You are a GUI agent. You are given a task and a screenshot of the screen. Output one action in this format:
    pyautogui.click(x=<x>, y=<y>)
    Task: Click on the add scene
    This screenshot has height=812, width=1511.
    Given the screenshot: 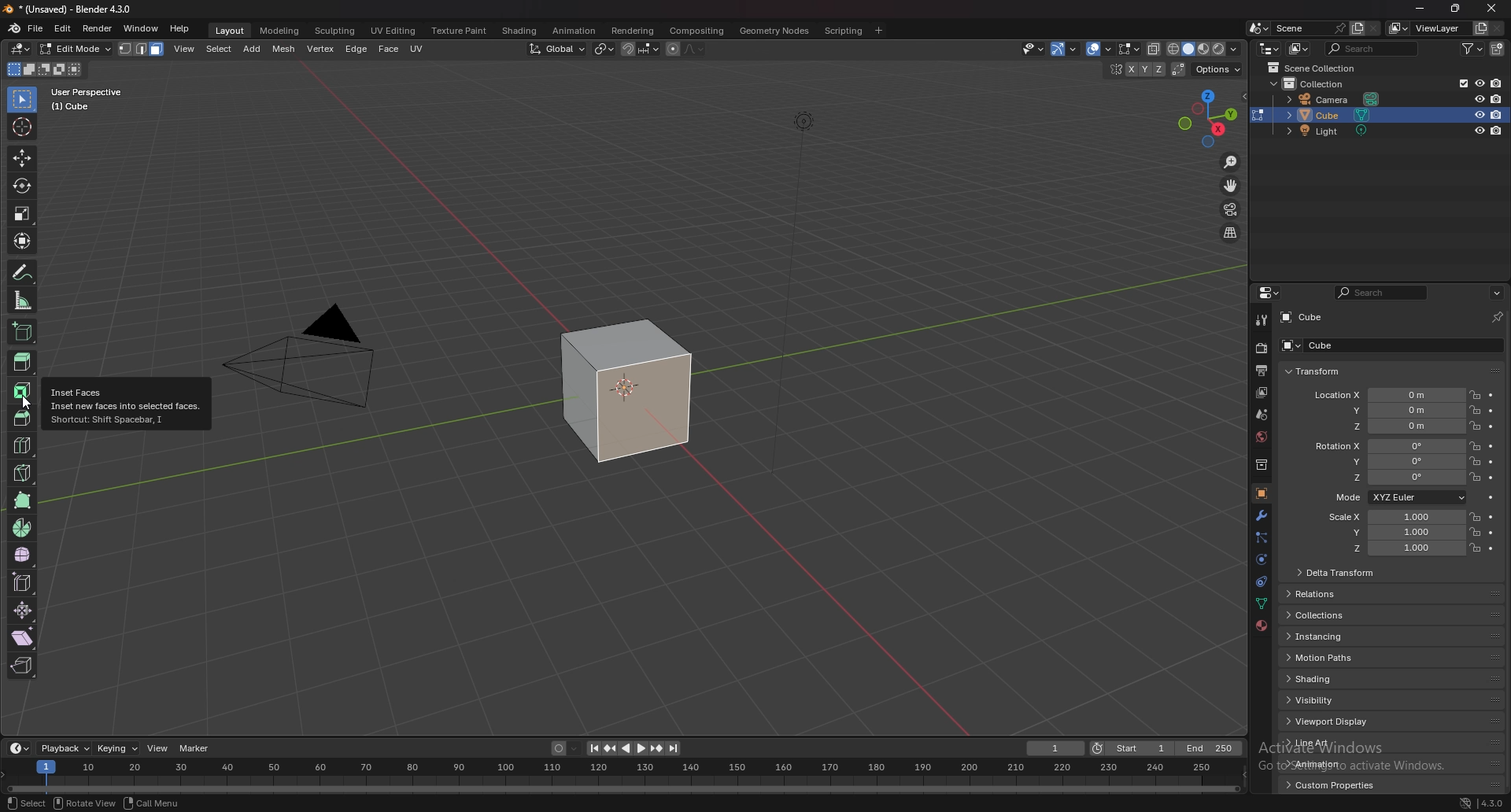 What is the action you would take?
    pyautogui.click(x=1357, y=28)
    